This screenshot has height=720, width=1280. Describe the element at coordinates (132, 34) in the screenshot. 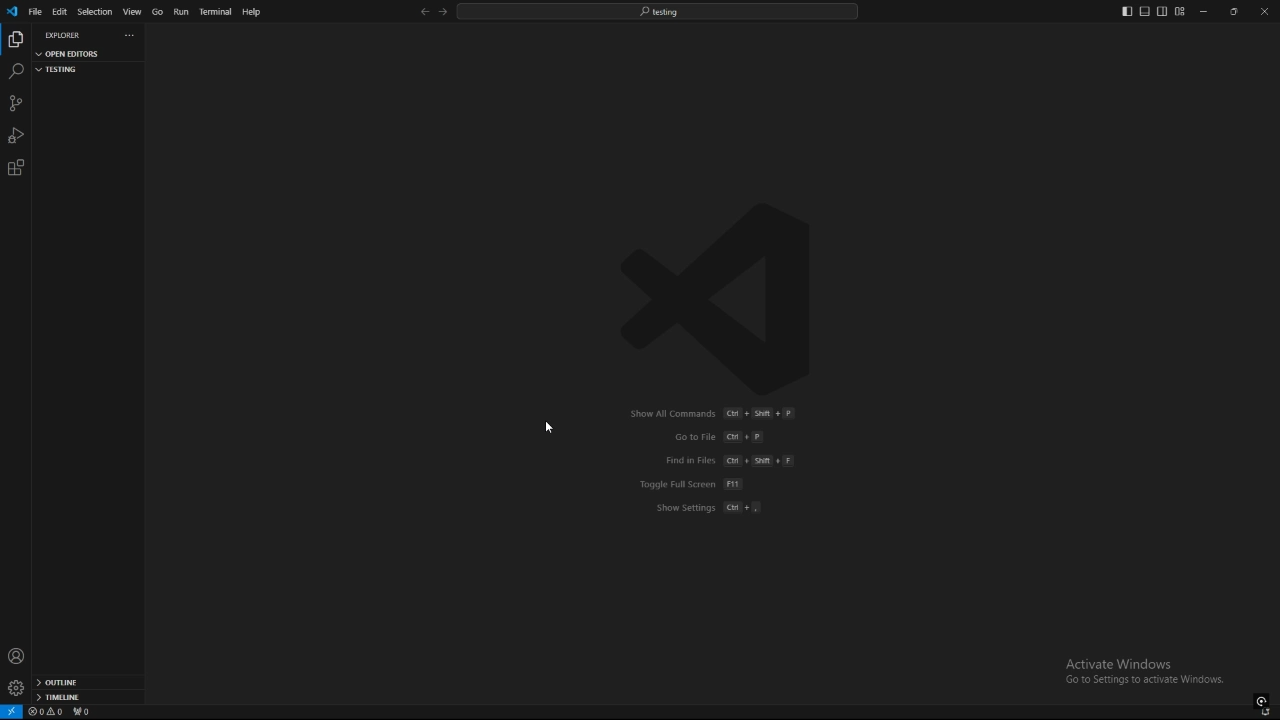

I see `options` at that location.